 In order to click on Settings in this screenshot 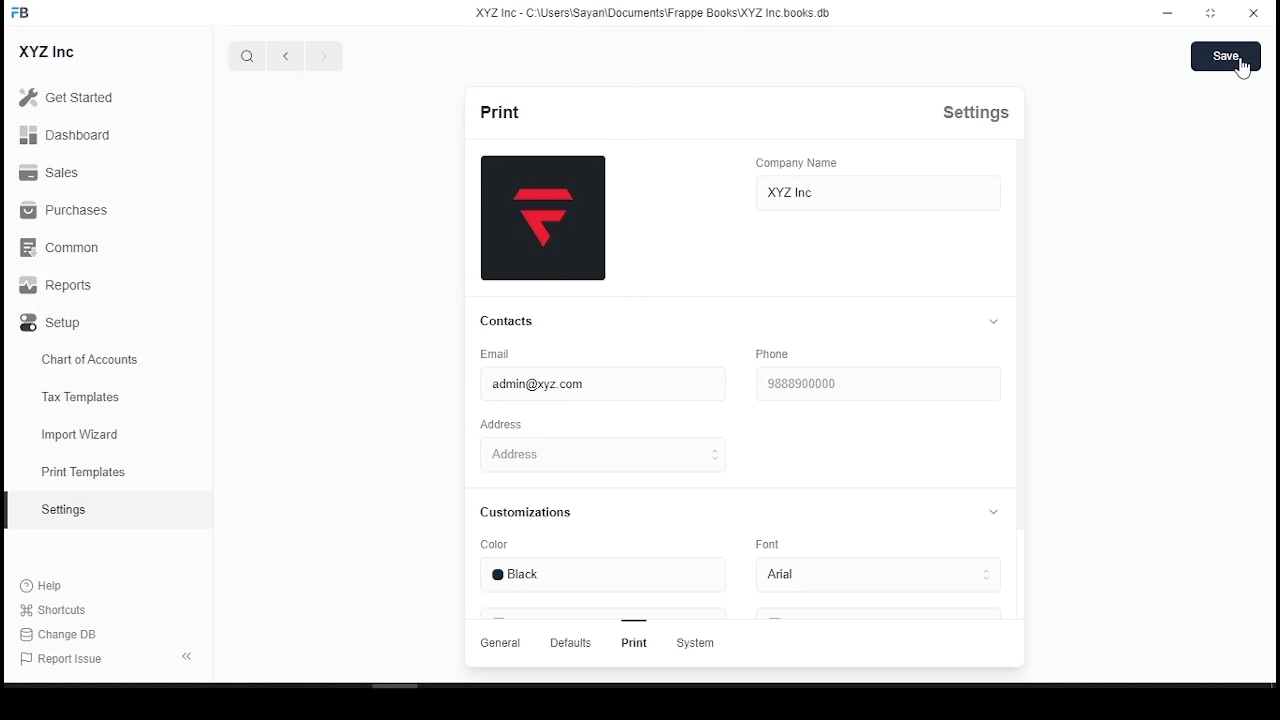, I will do `click(972, 112)`.